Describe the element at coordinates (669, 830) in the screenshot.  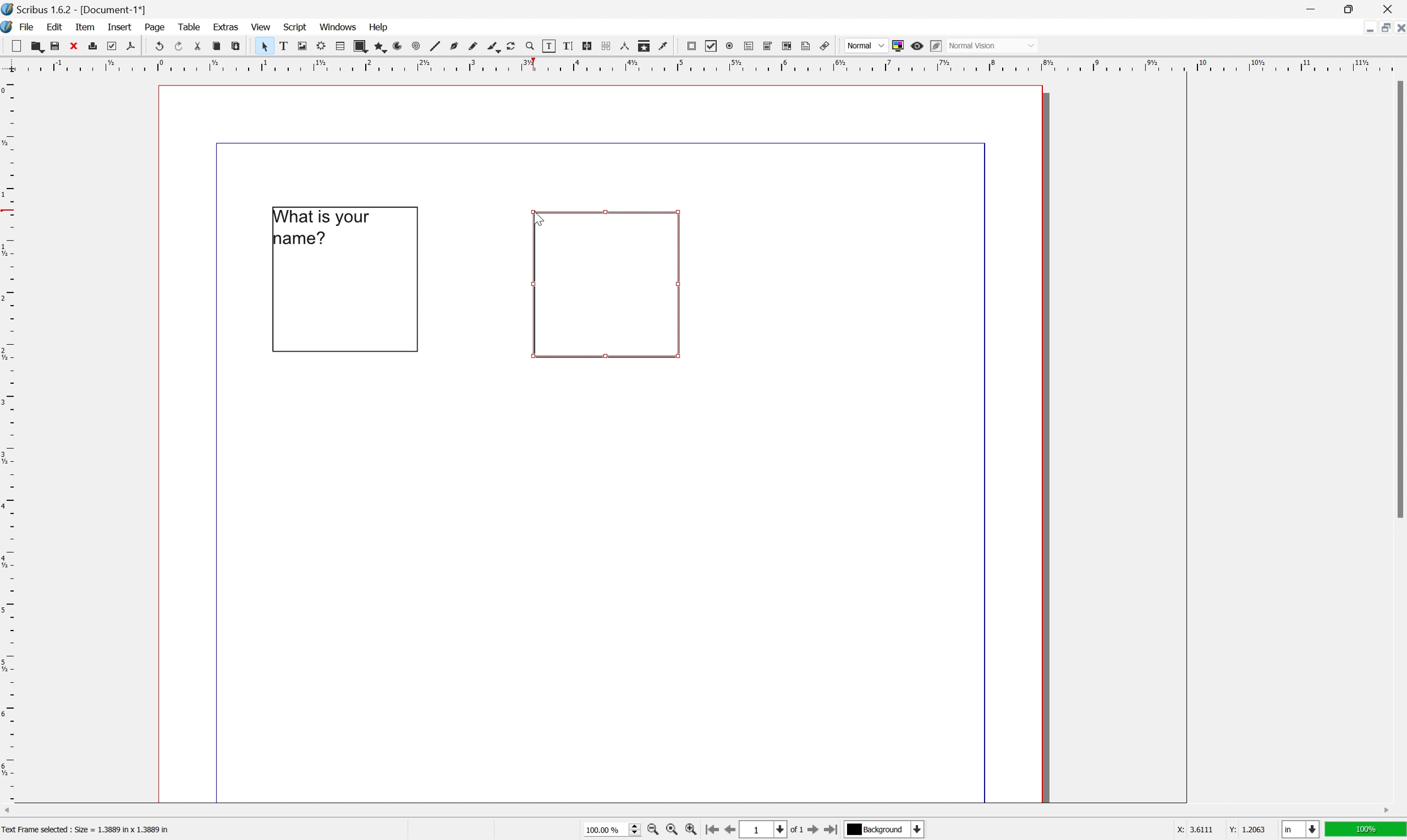
I see `zoom to 100%` at that location.